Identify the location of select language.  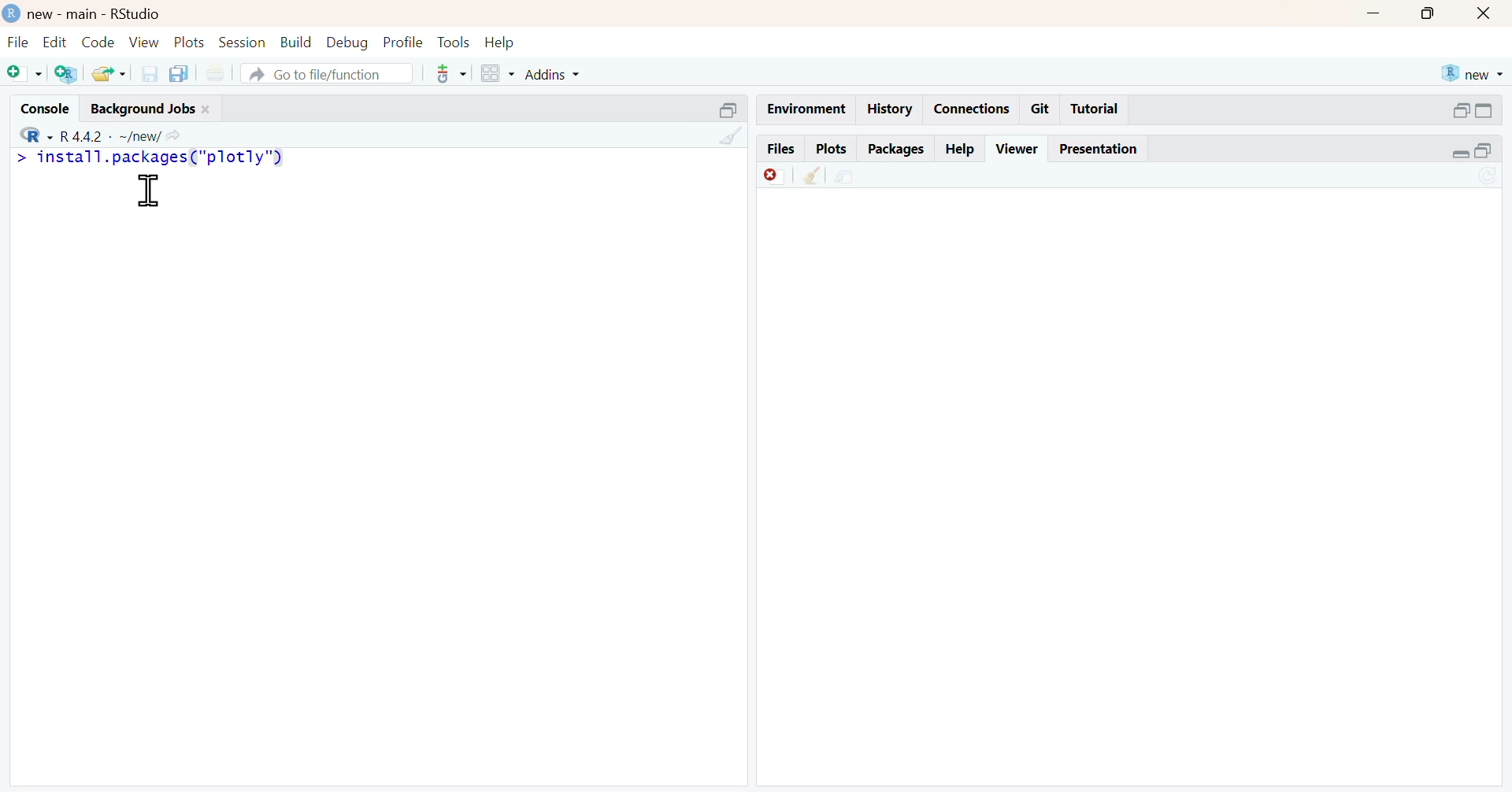
(28, 134).